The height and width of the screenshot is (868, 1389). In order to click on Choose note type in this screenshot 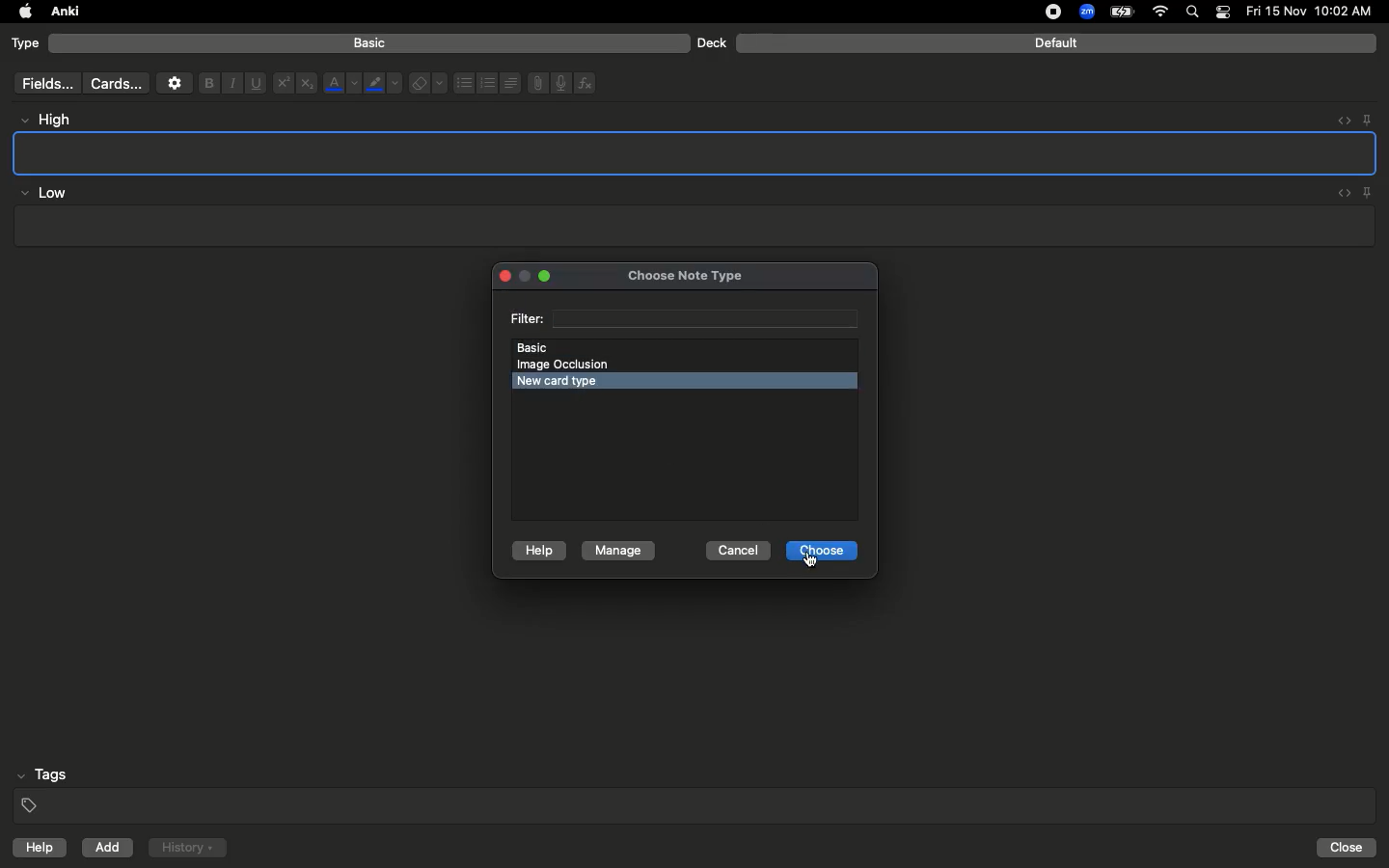, I will do `click(665, 272)`.